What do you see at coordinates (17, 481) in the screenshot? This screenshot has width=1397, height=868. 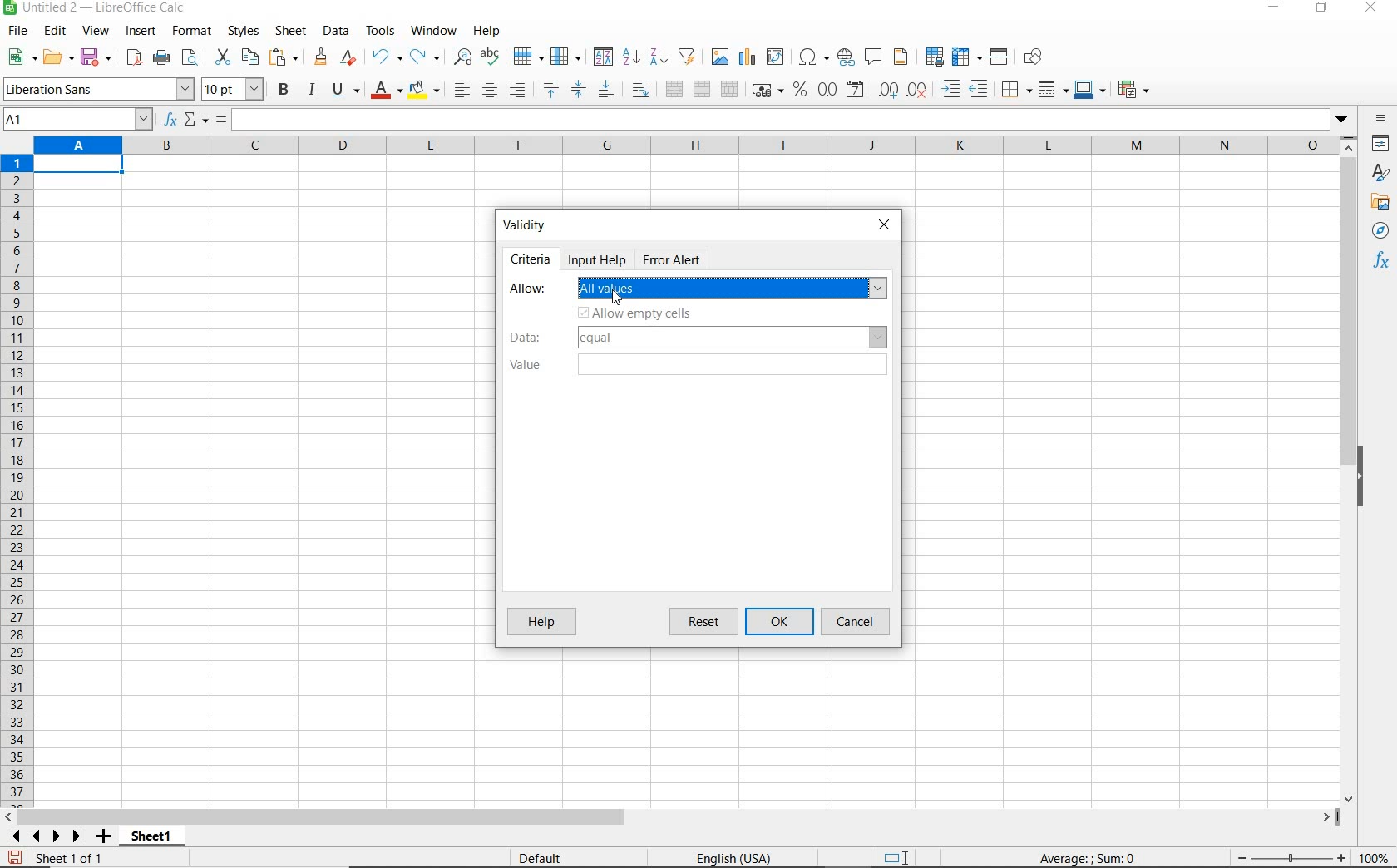 I see `rows` at bounding box center [17, 481].